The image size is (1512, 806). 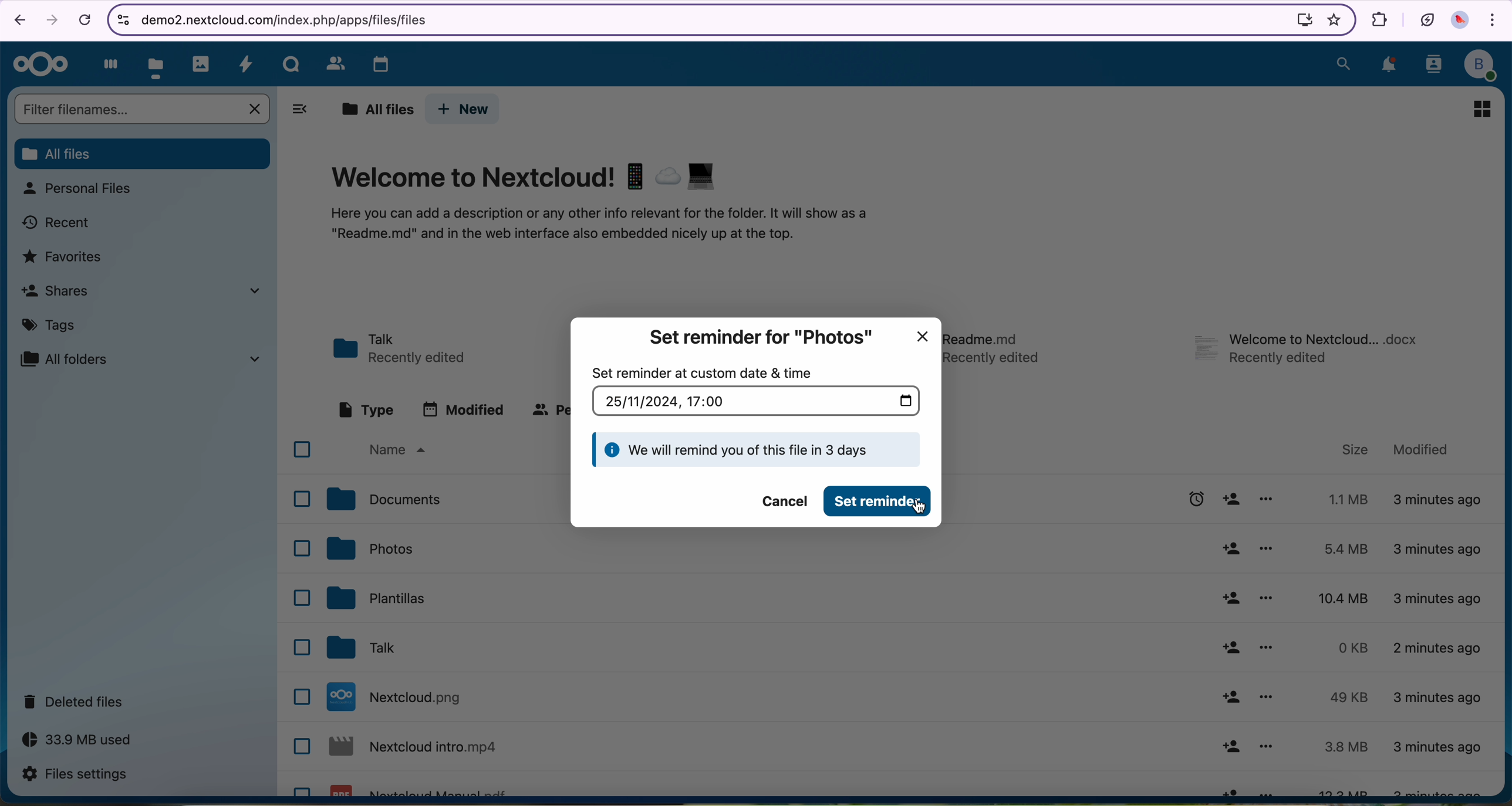 I want to click on activity, so click(x=247, y=64).